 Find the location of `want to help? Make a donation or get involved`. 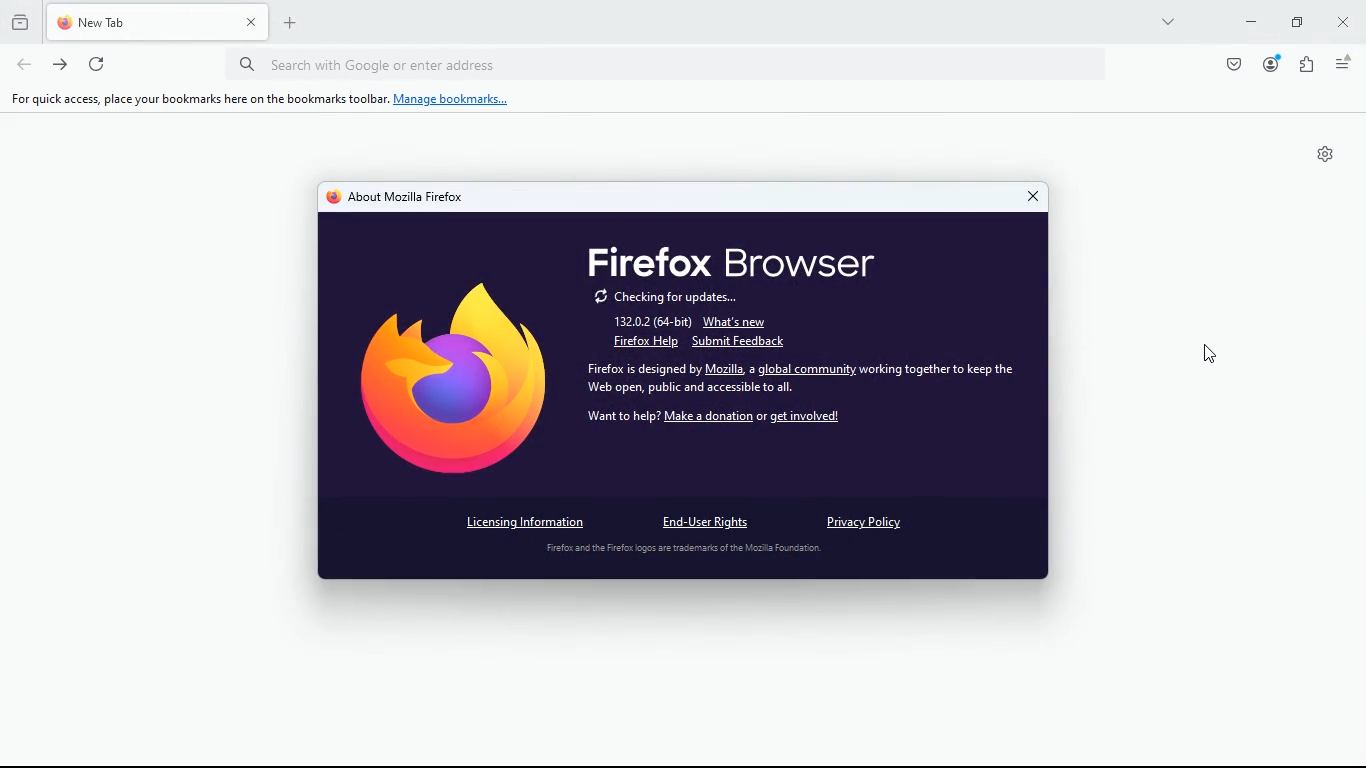

want to help? Make a donation or get involved is located at coordinates (716, 415).